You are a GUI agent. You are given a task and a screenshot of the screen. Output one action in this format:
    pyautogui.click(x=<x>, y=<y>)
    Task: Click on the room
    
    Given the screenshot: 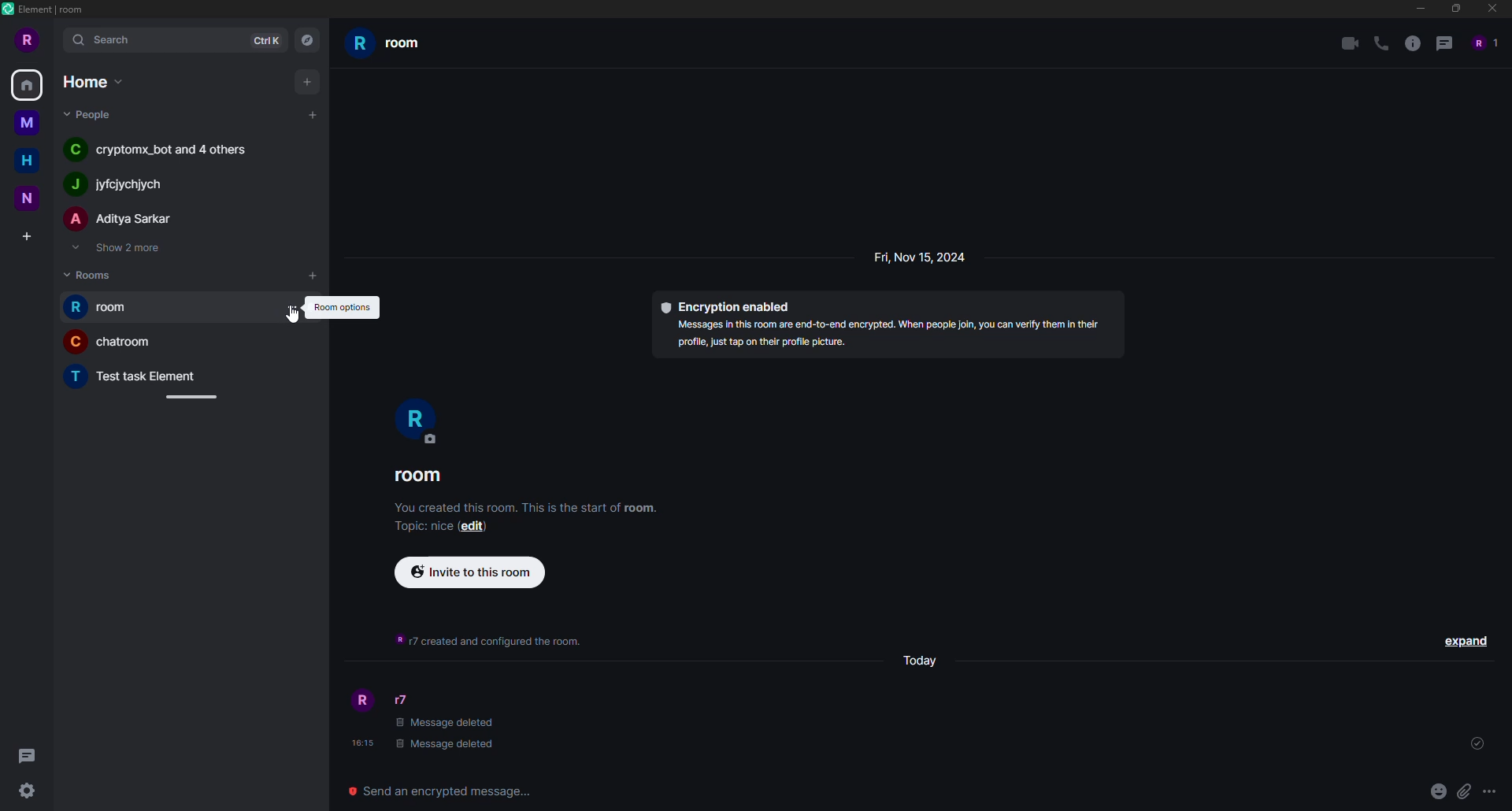 What is the action you would take?
    pyautogui.click(x=421, y=476)
    